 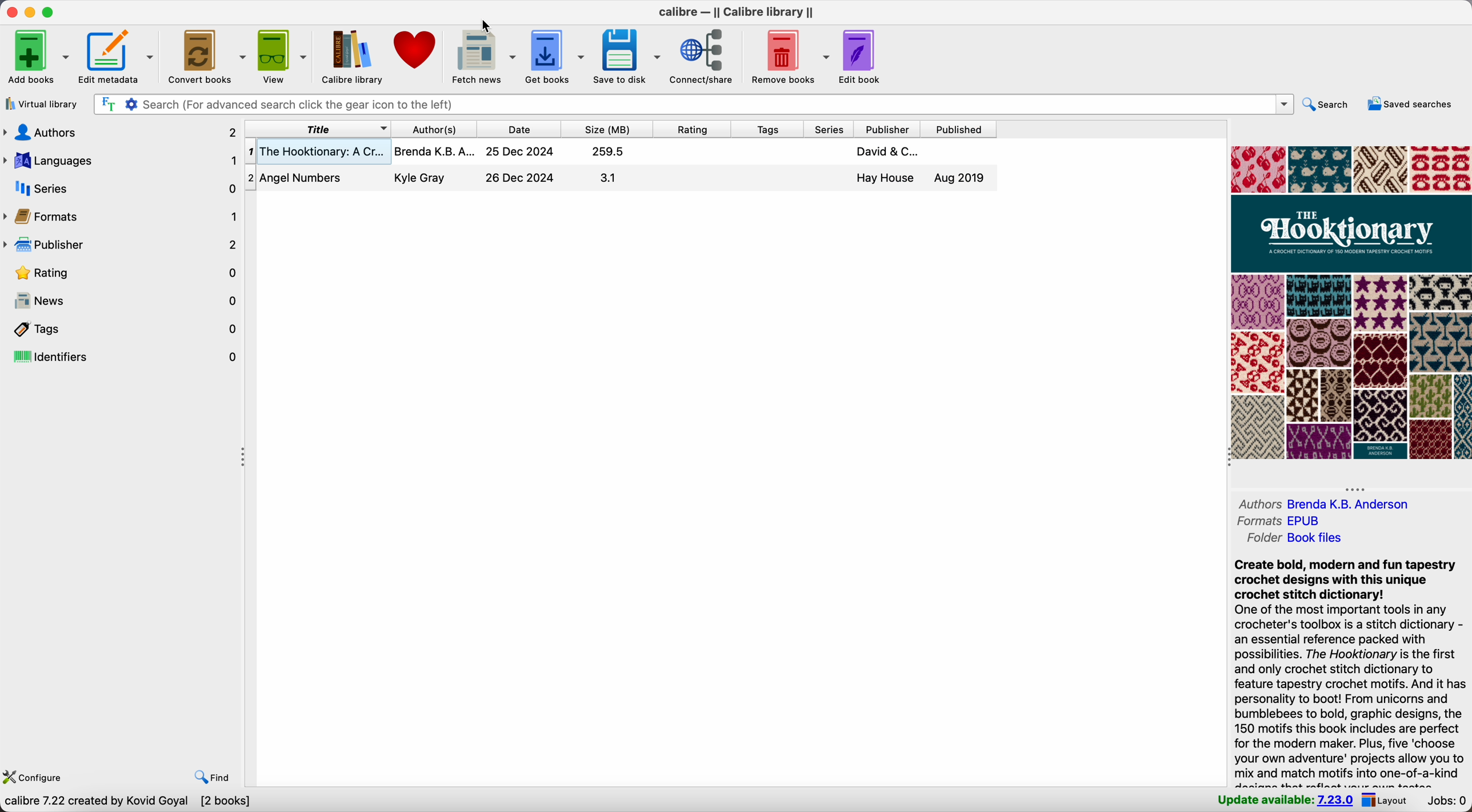 What do you see at coordinates (33, 11) in the screenshot?
I see `minimize` at bounding box center [33, 11].